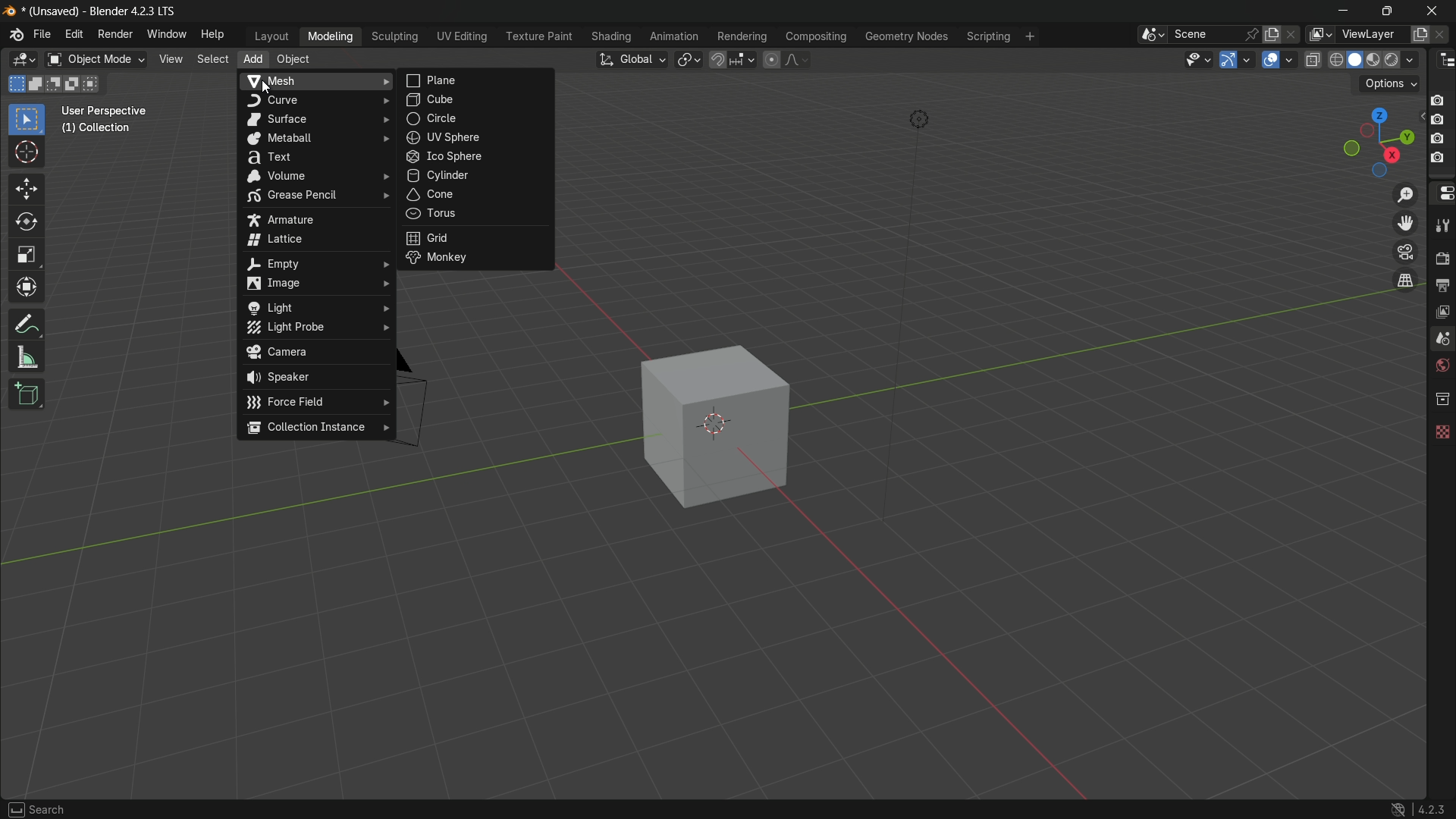 This screenshot has width=1456, height=819. Describe the element at coordinates (212, 58) in the screenshot. I see `select` at that location.